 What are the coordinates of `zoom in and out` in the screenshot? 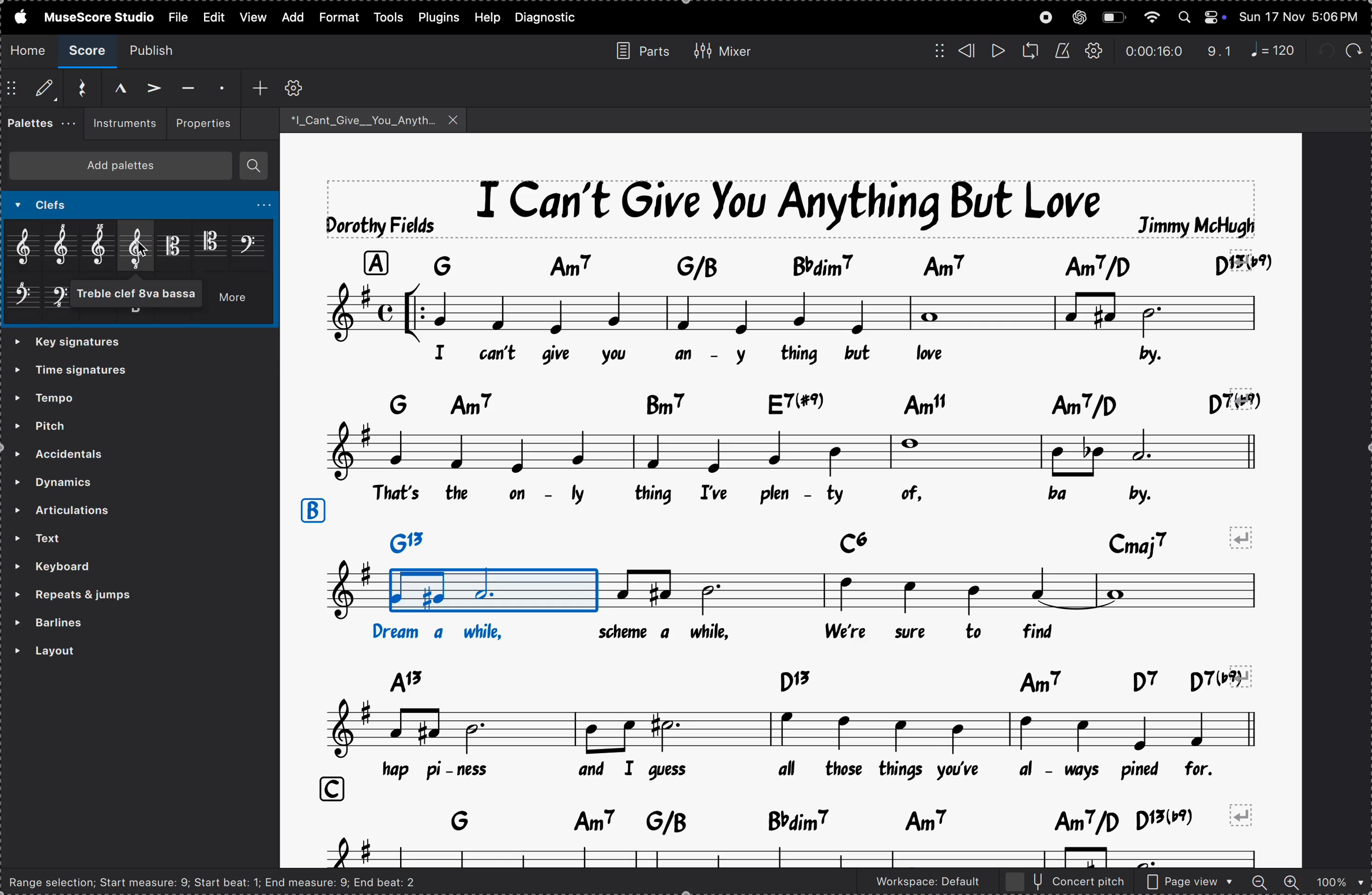 It's located at (1307, 883).